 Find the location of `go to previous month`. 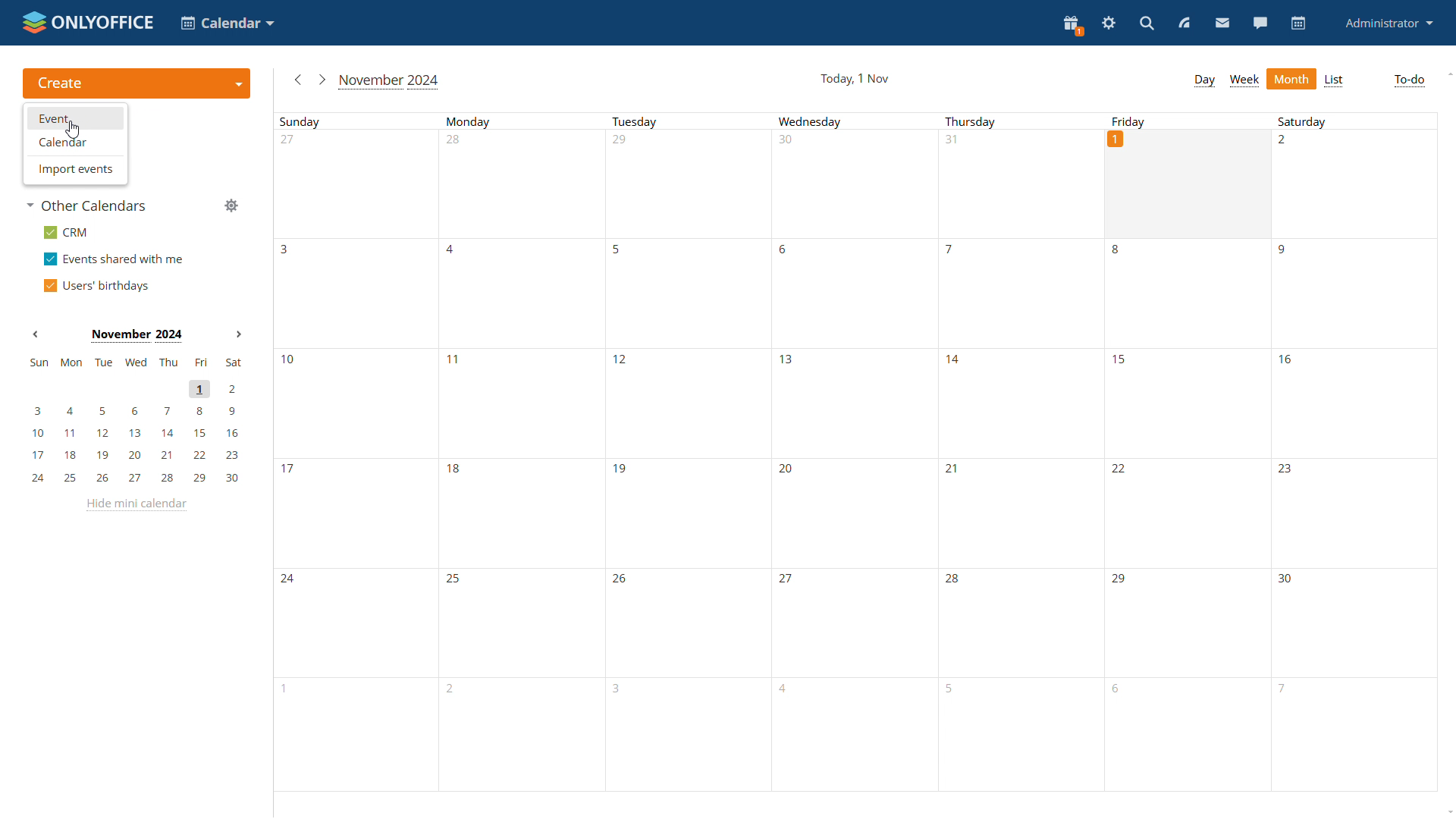

go to previous month is located at coordinates (300, 81).